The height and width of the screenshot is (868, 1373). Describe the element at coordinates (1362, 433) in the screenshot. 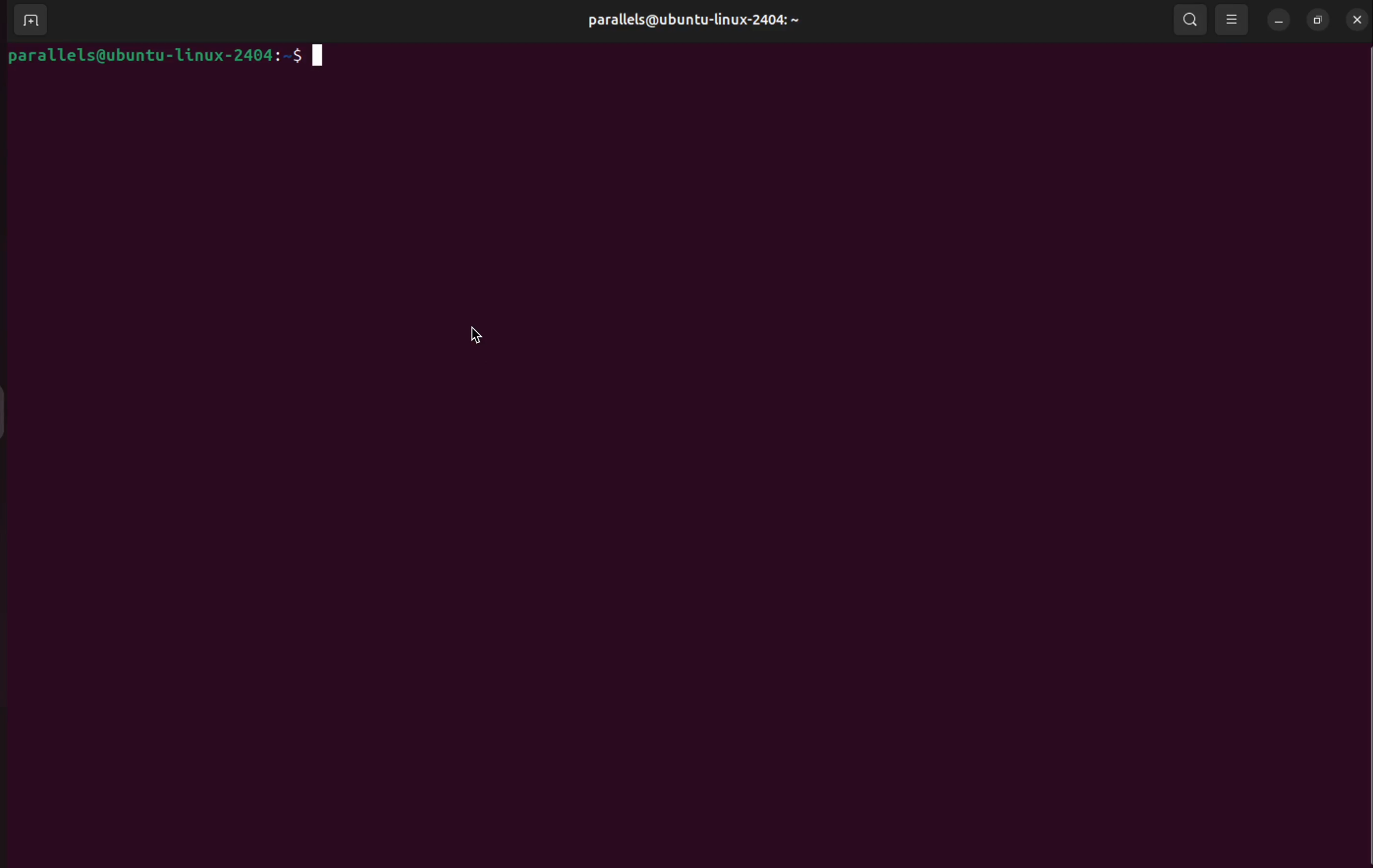

I see `Scrollbar` at that location.